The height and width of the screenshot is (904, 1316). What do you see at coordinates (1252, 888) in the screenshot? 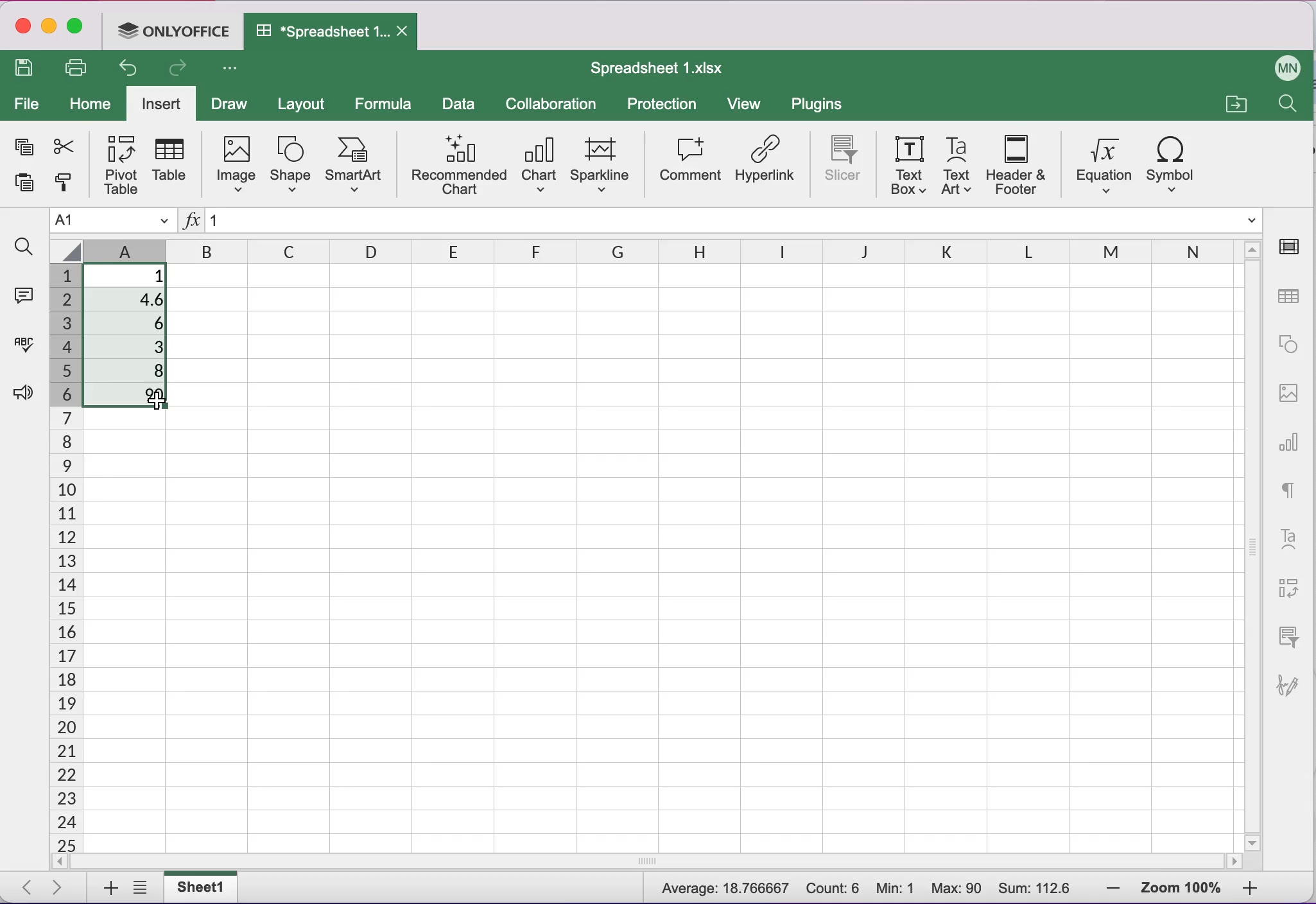
I see `zoom in` at bounding box center [1252, 888].